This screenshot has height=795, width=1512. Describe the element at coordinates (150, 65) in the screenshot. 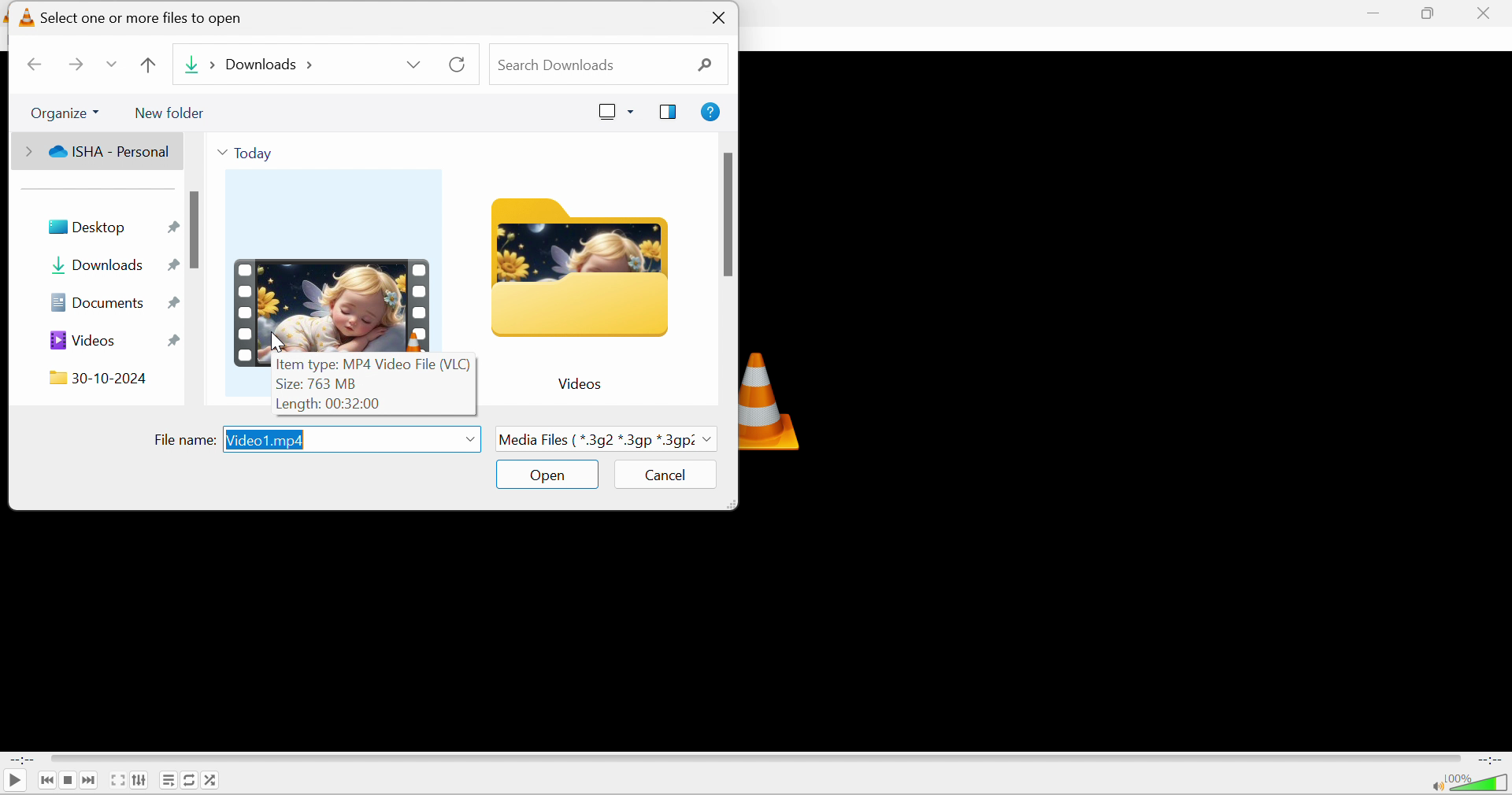

I see `Up` at that location.